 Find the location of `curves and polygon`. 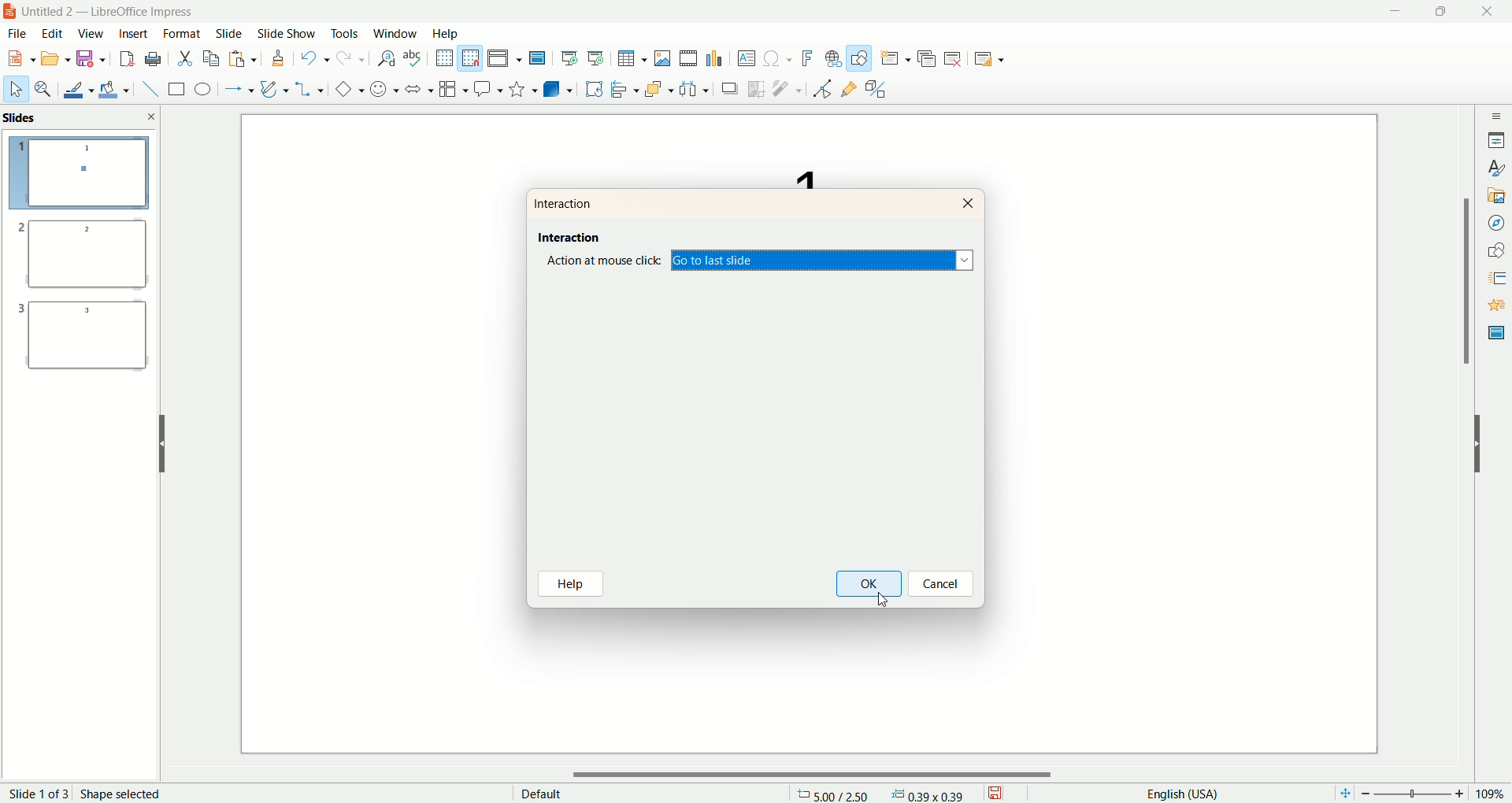

curves and polygon is located at coordinates (272, 87).